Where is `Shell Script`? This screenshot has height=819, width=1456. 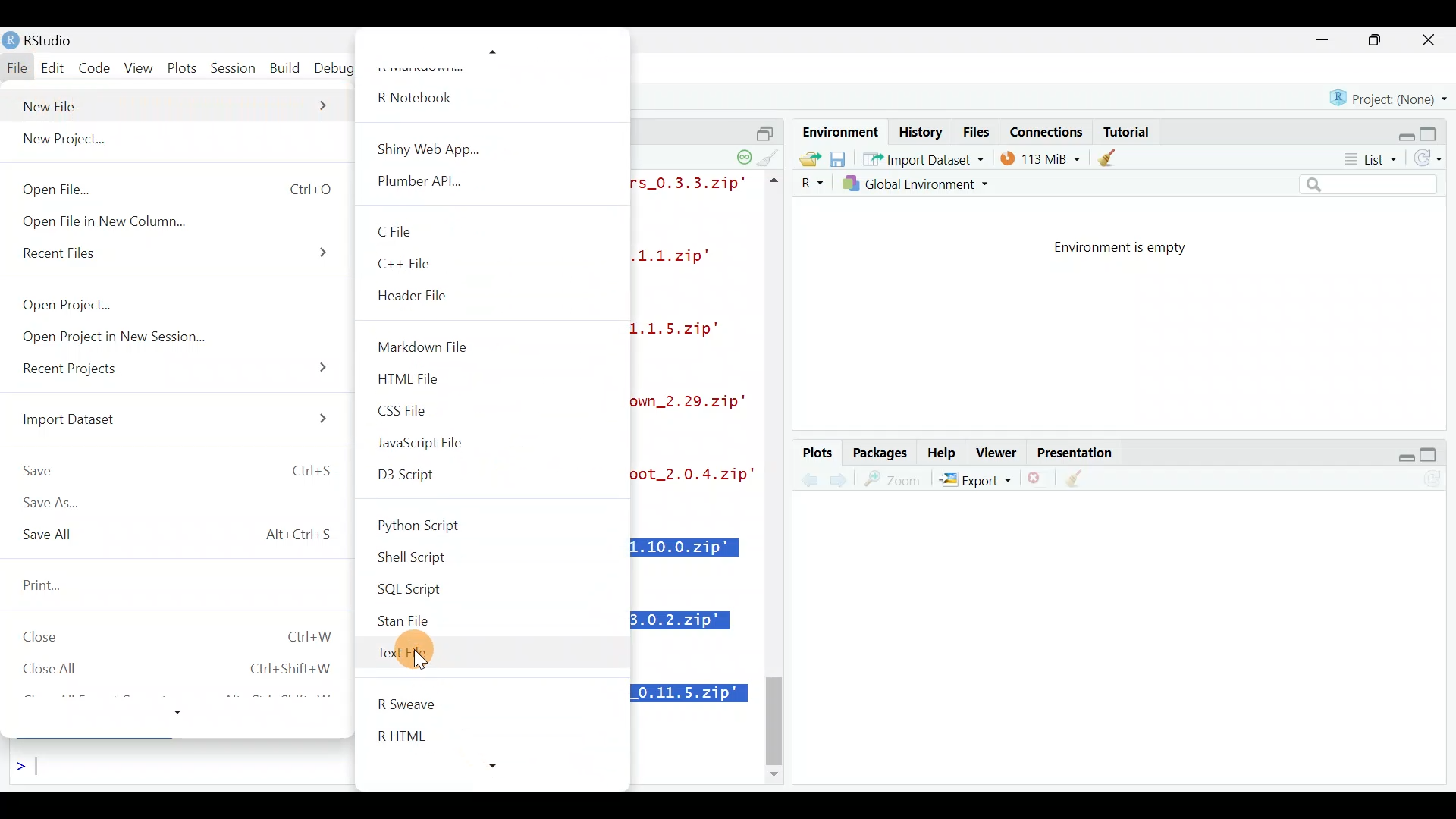
Shell Script is located at coordinates (411, 558).